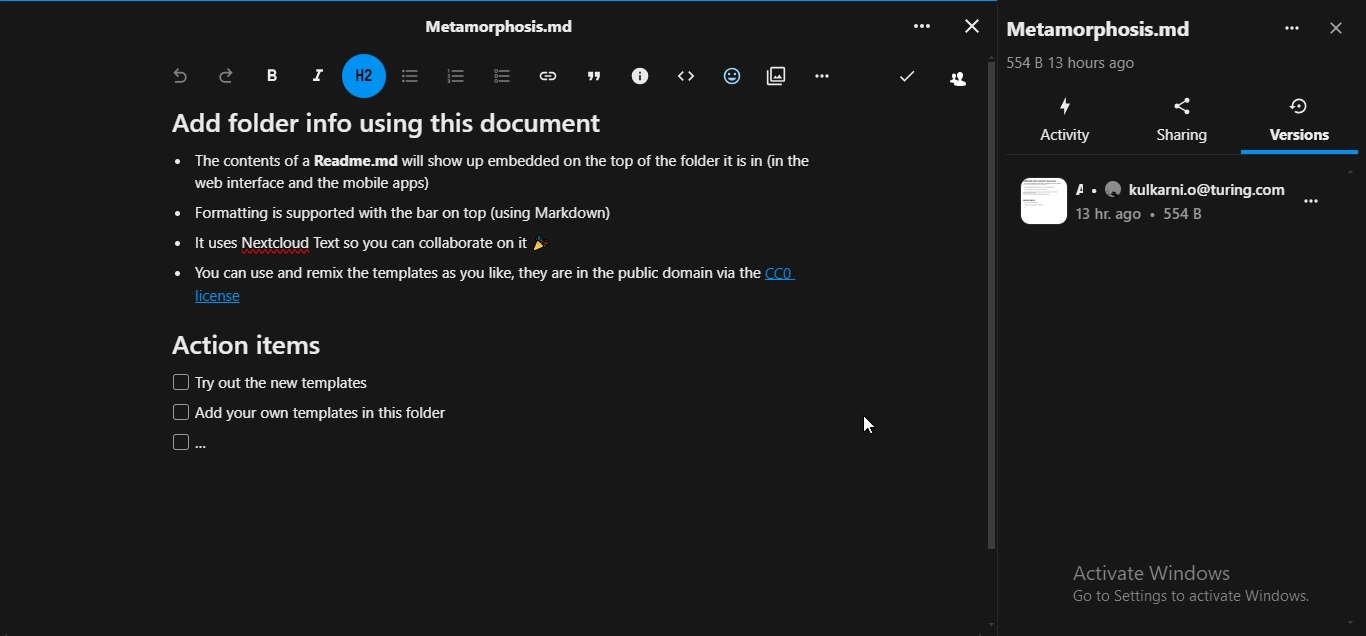  I want to click on text, so click(1154, 202).